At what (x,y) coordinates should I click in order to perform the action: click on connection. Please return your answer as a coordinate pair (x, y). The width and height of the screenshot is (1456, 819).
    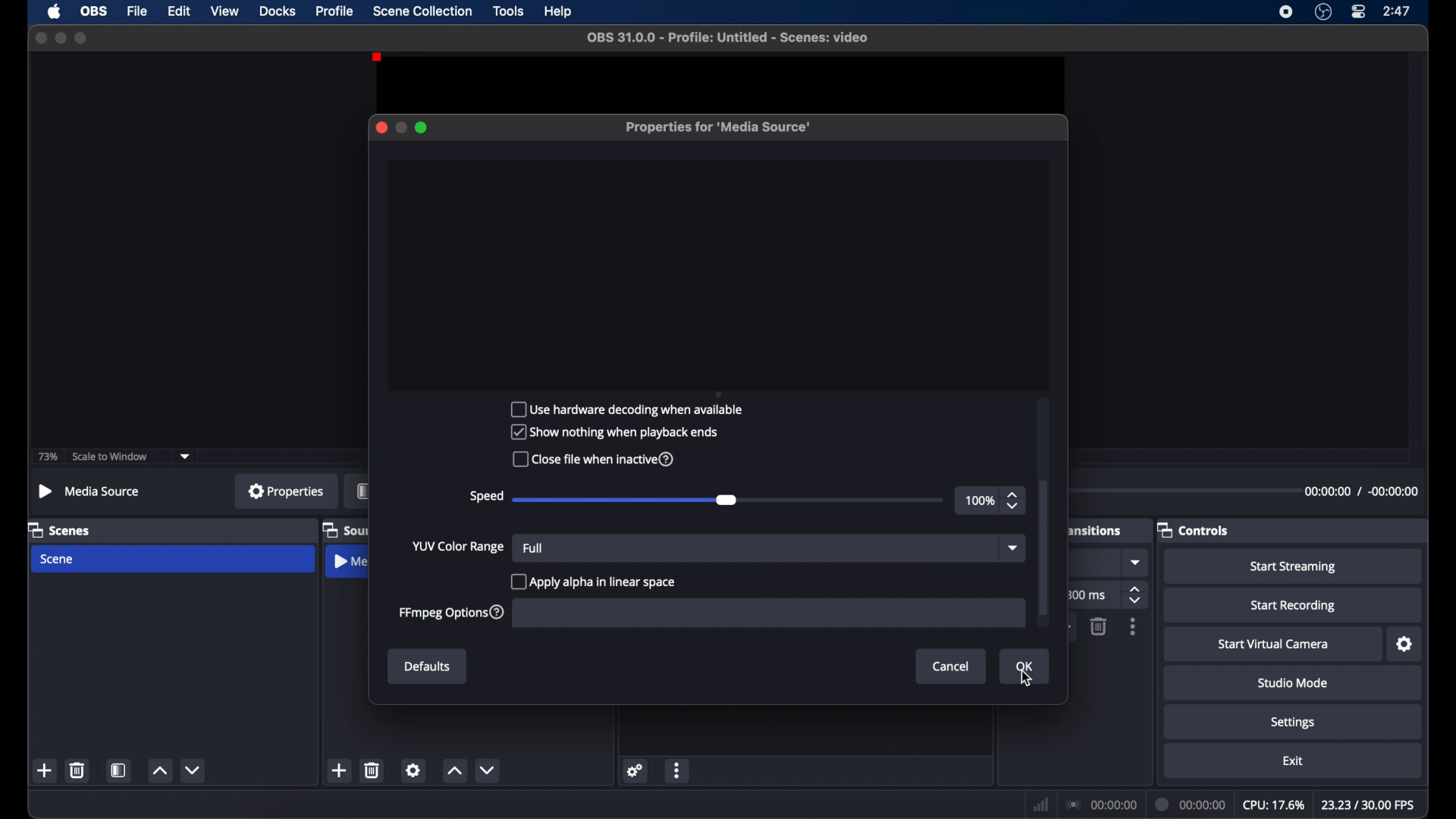
    Looking at the image, I should click on (1102, 805).